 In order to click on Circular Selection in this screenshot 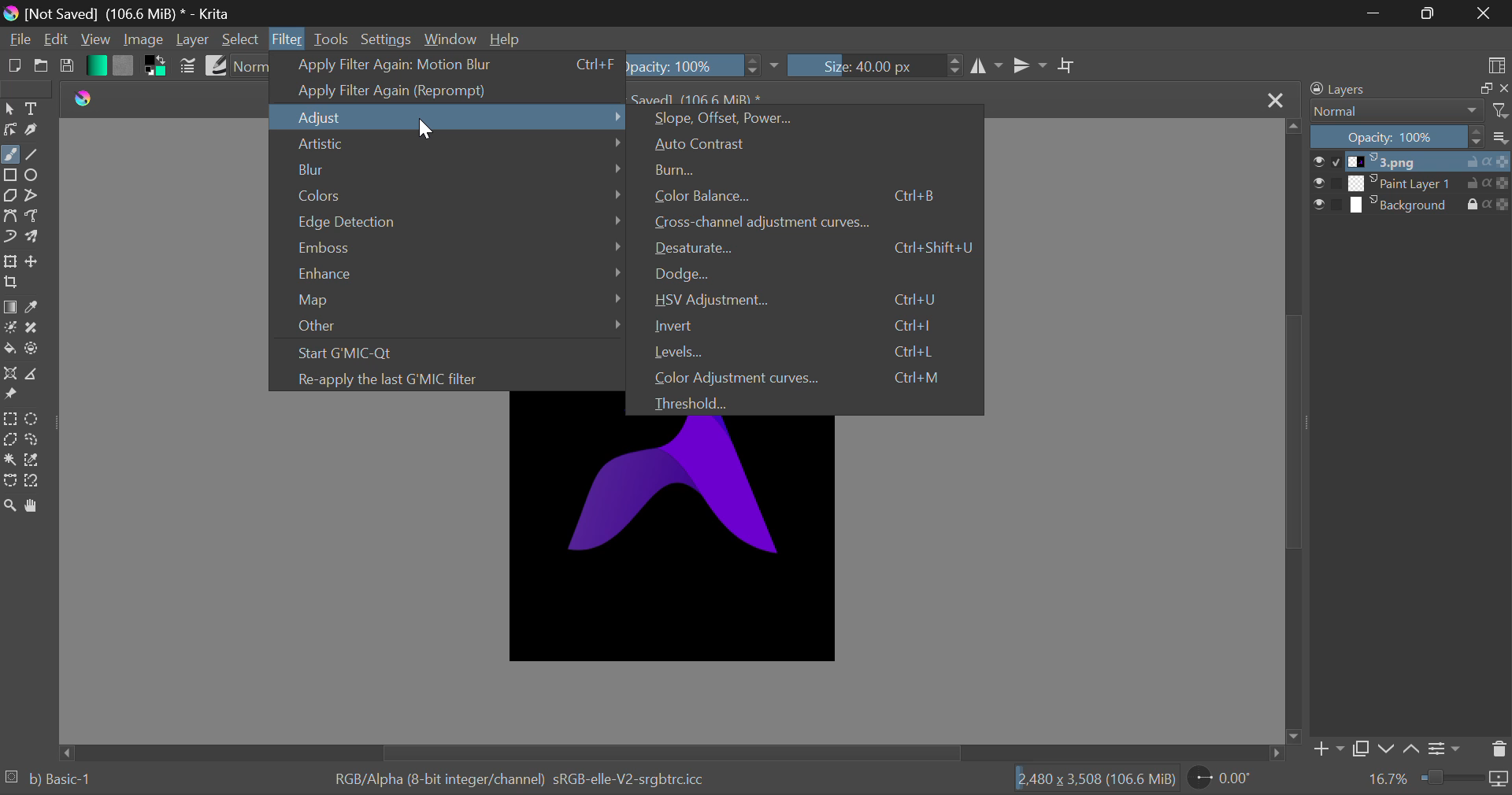, I will do `click(34, 417)`.